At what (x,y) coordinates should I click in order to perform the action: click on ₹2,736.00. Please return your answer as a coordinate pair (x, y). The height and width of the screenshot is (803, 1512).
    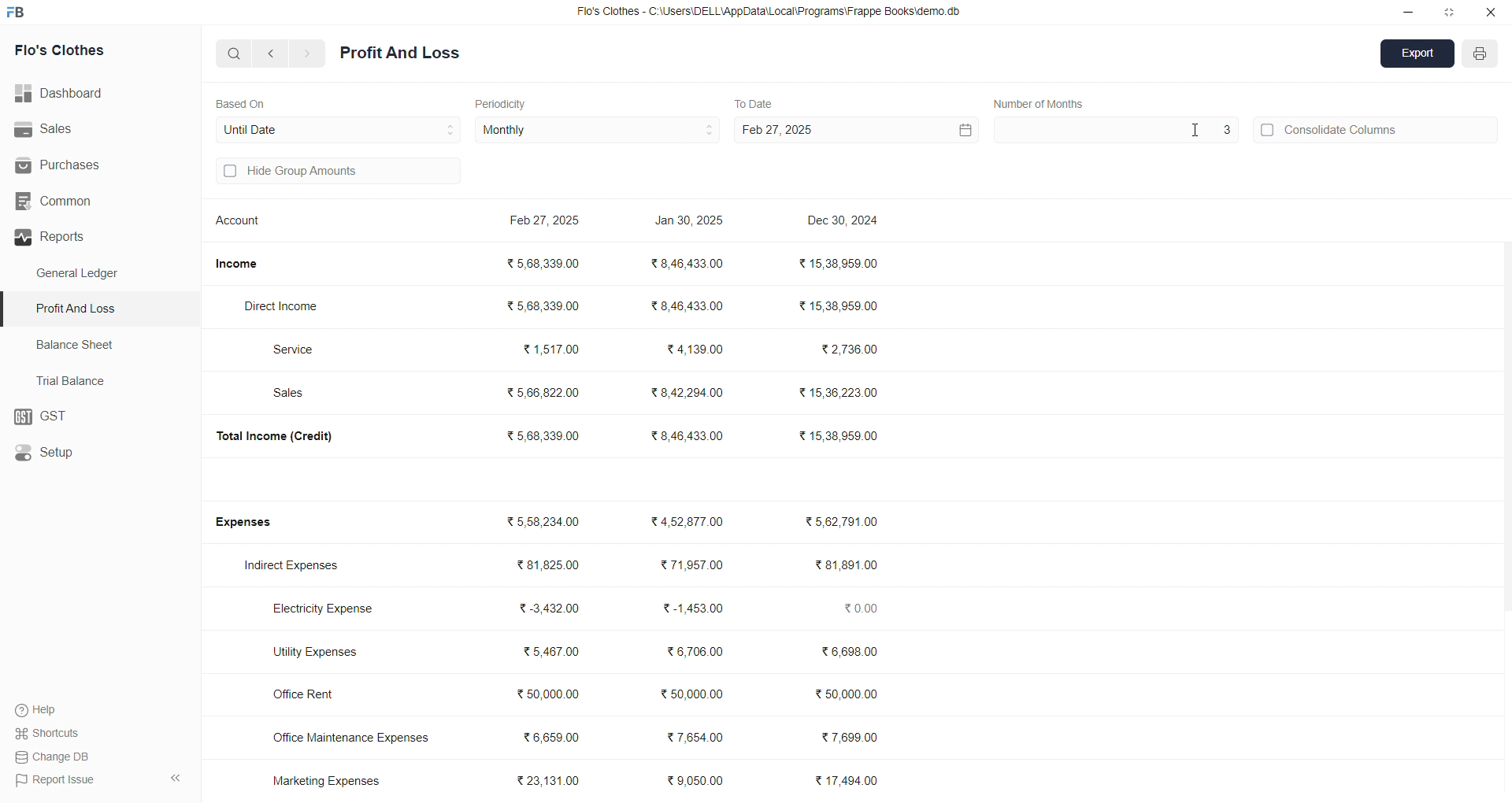
    Looking at the image, I should click on (851, 350).